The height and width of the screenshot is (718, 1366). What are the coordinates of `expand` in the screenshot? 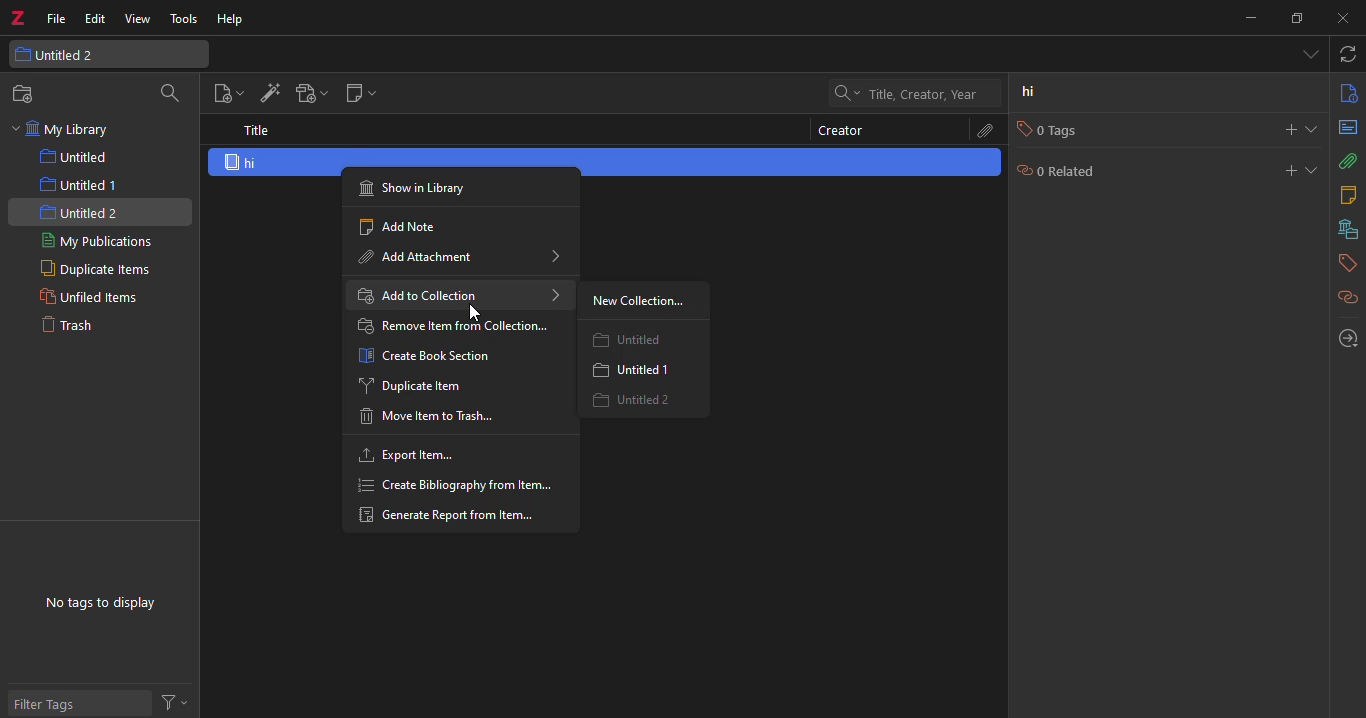 It's located at (1315, 169).